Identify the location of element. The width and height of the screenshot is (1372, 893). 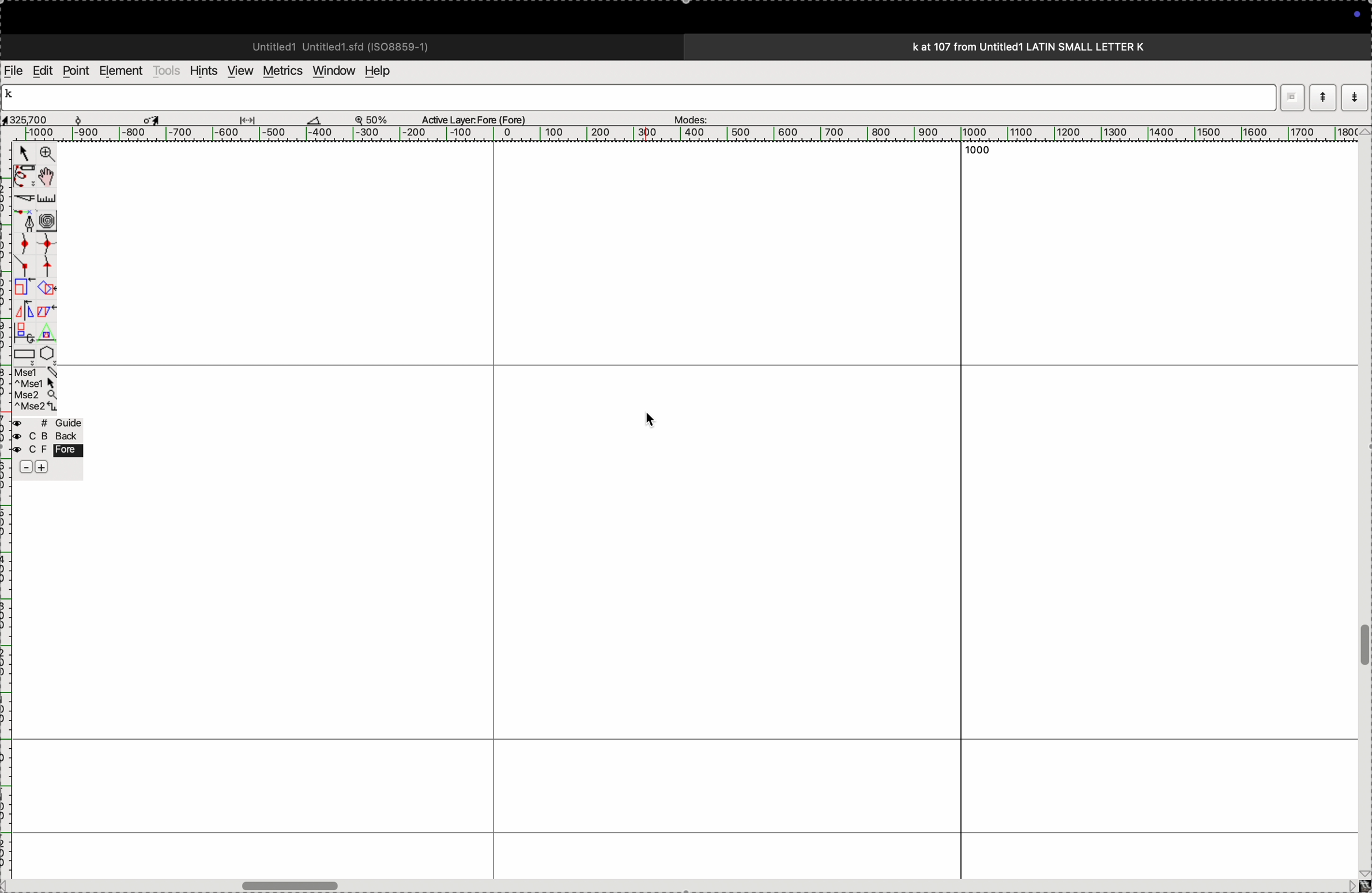
(122, 71).